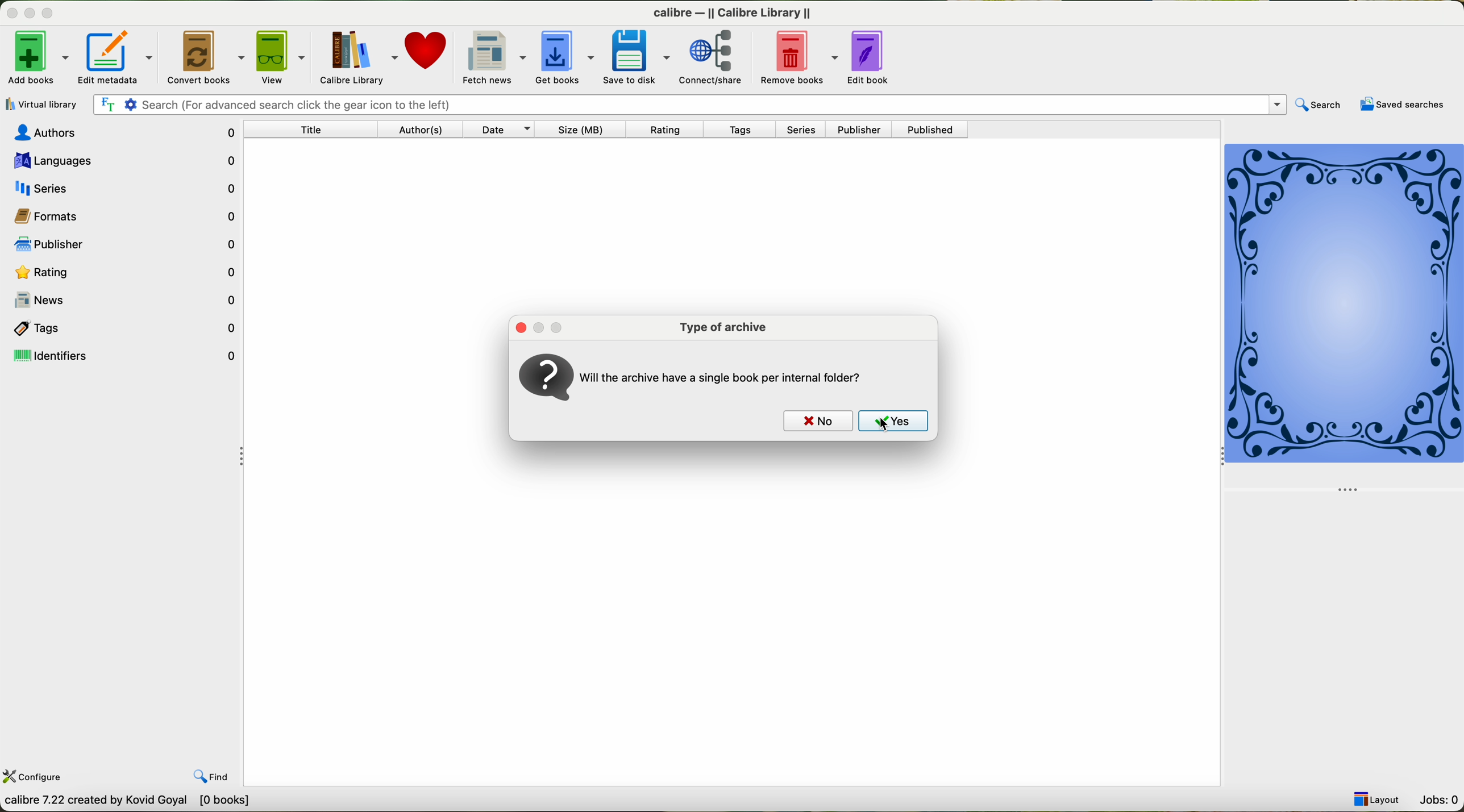 The image size is (1464, 812). What do you see at coordinates (896, 423) in the screenshot?
I see `yes` at bounding box center [896, 423].